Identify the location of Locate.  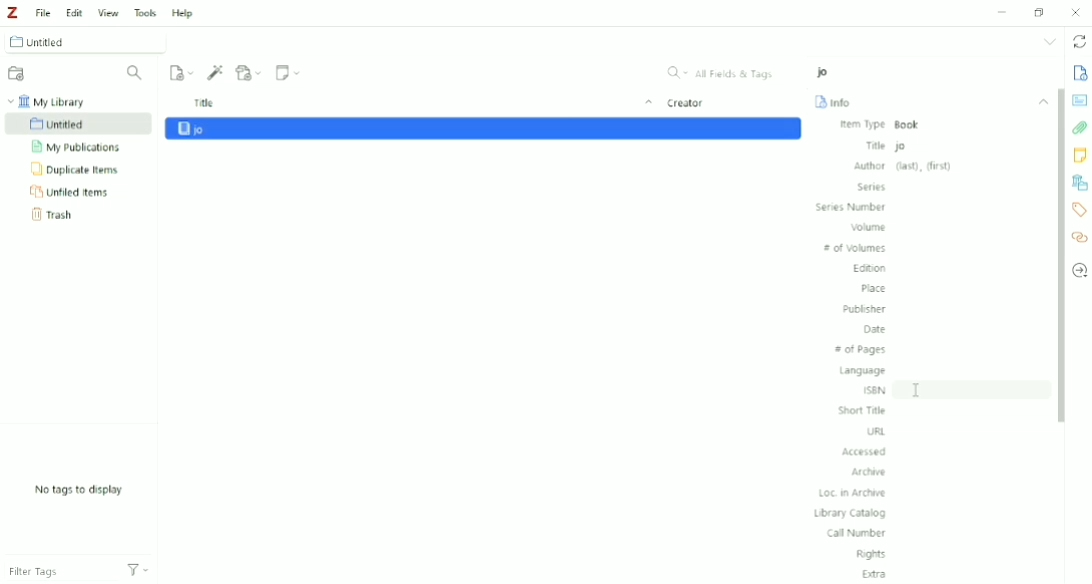
(1080, 271).